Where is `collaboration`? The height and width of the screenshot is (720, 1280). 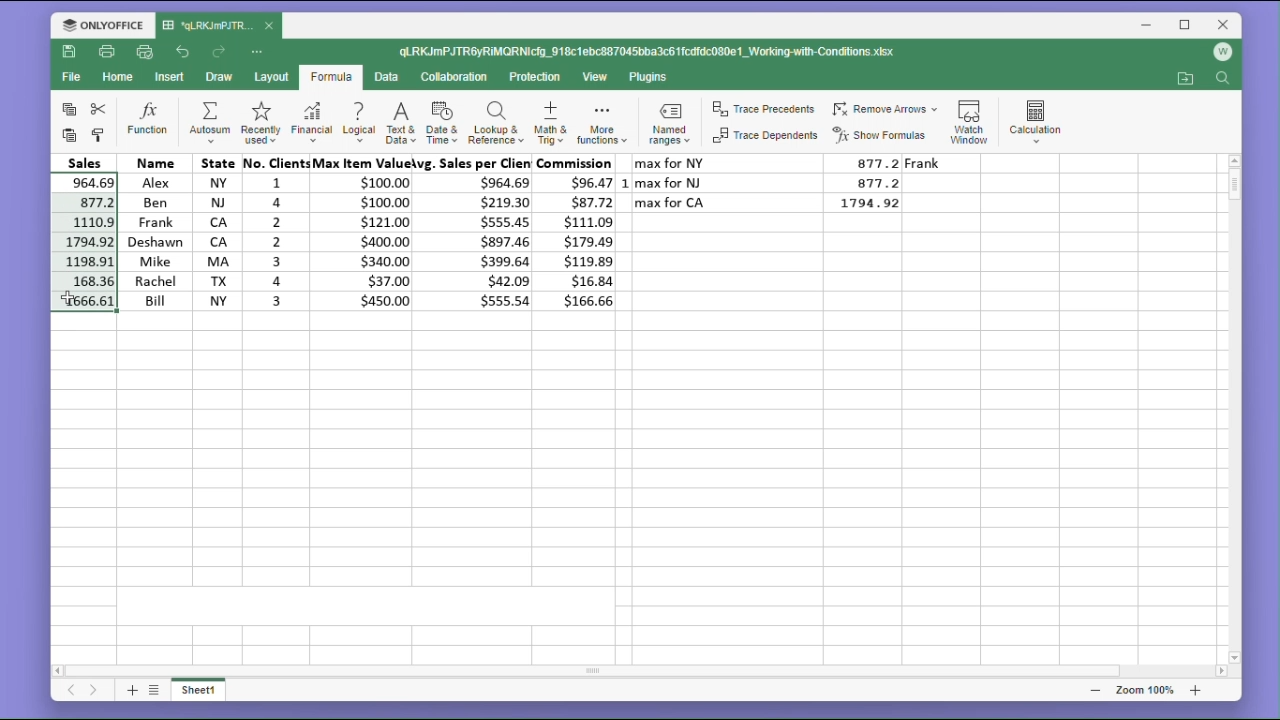
collaboration is located at coordinates (458, 78).